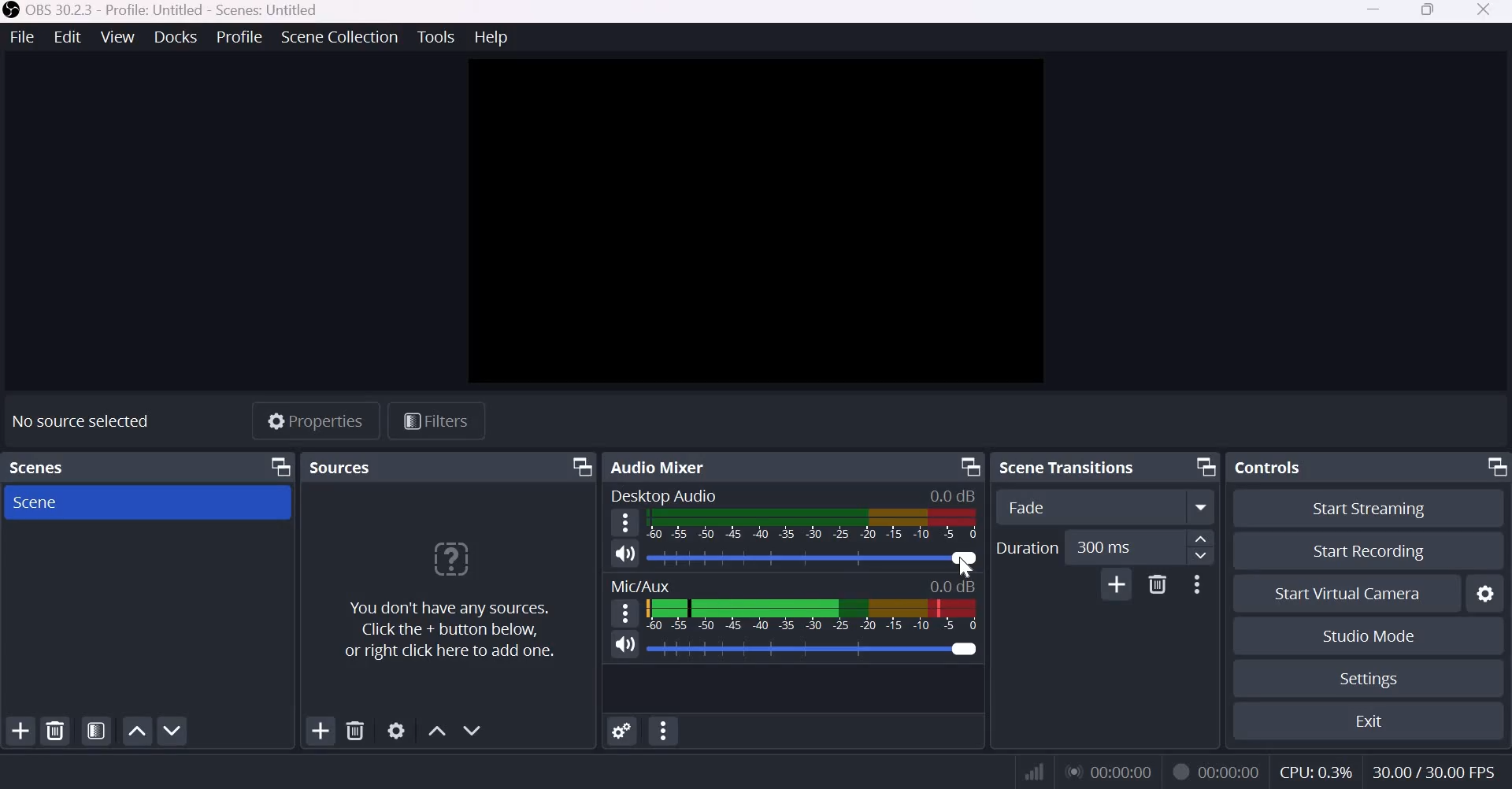 The width and height of the screenshot is (1512, 789). I want to click on Dock Options icon, so click(577, 467).